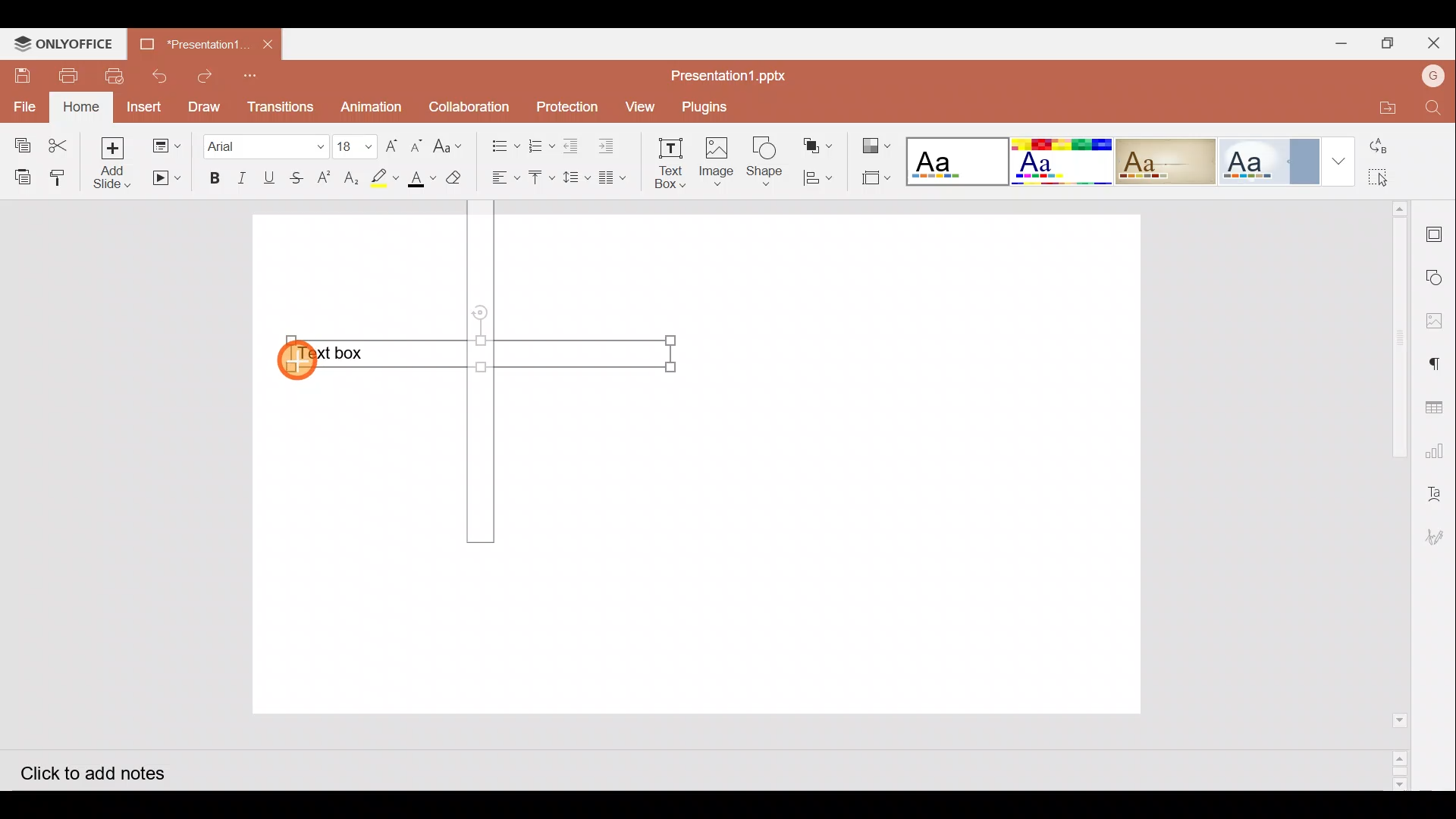  Describe the element at coordinates (1395, 148) in the screenshot. I see `Replace` at that location.